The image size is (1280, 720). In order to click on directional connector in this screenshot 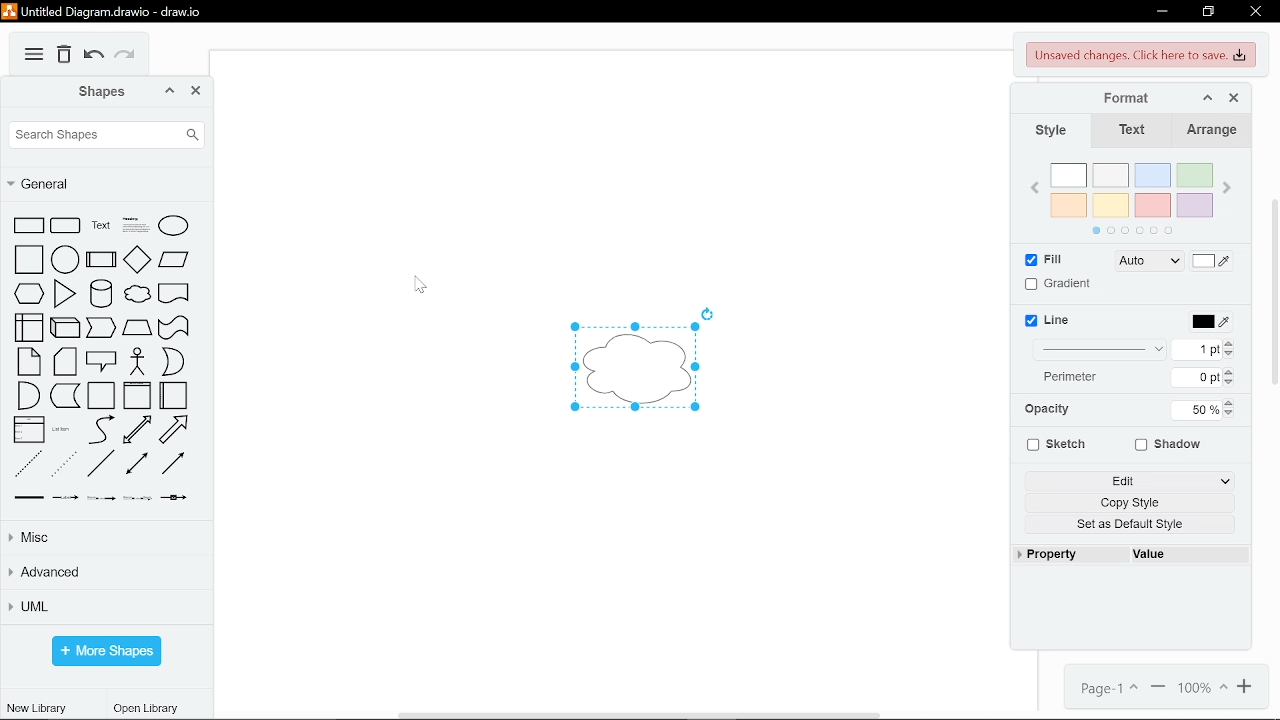, I will do `click(172, 463)`.